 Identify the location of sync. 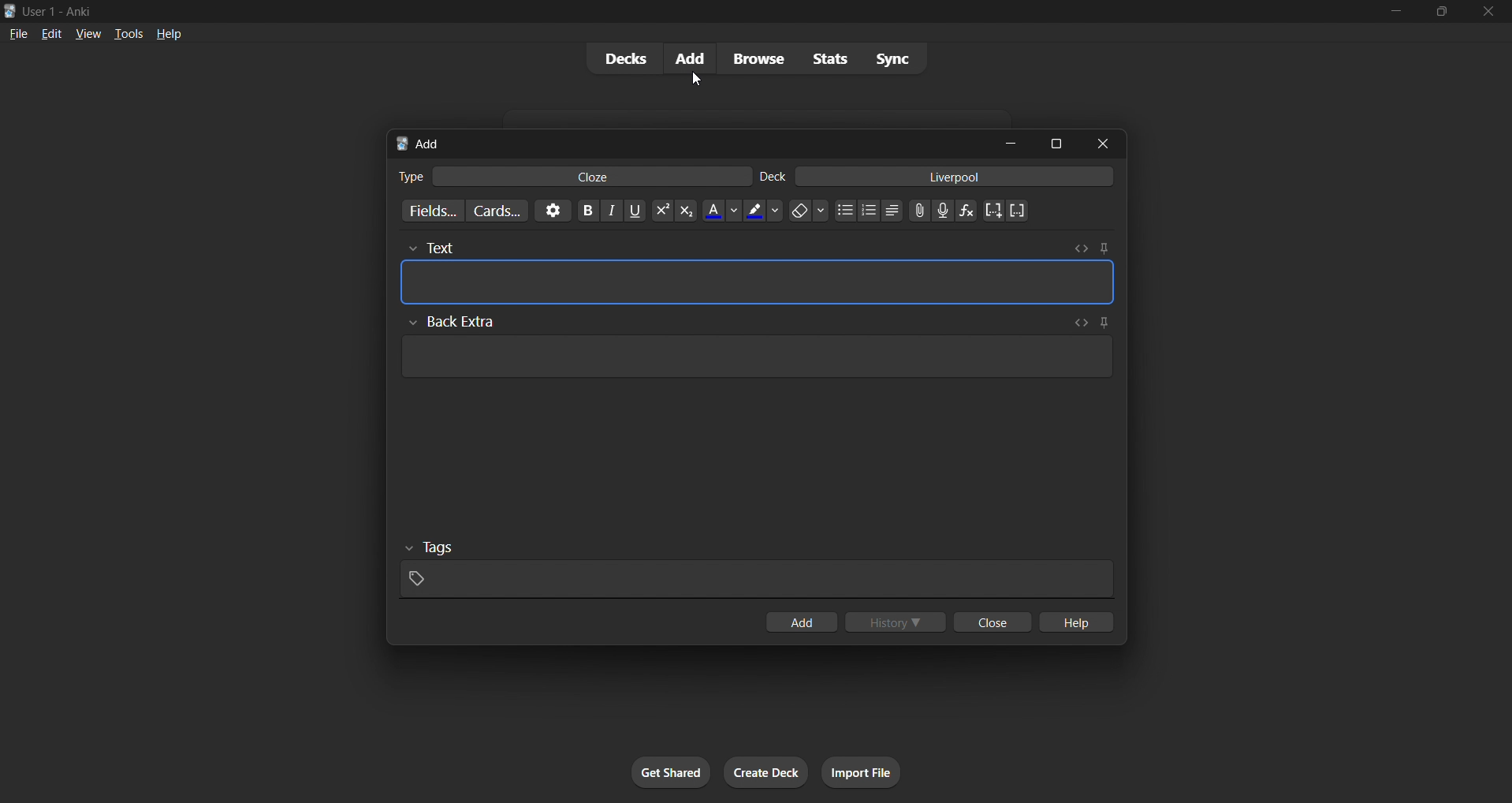
(892, 58).